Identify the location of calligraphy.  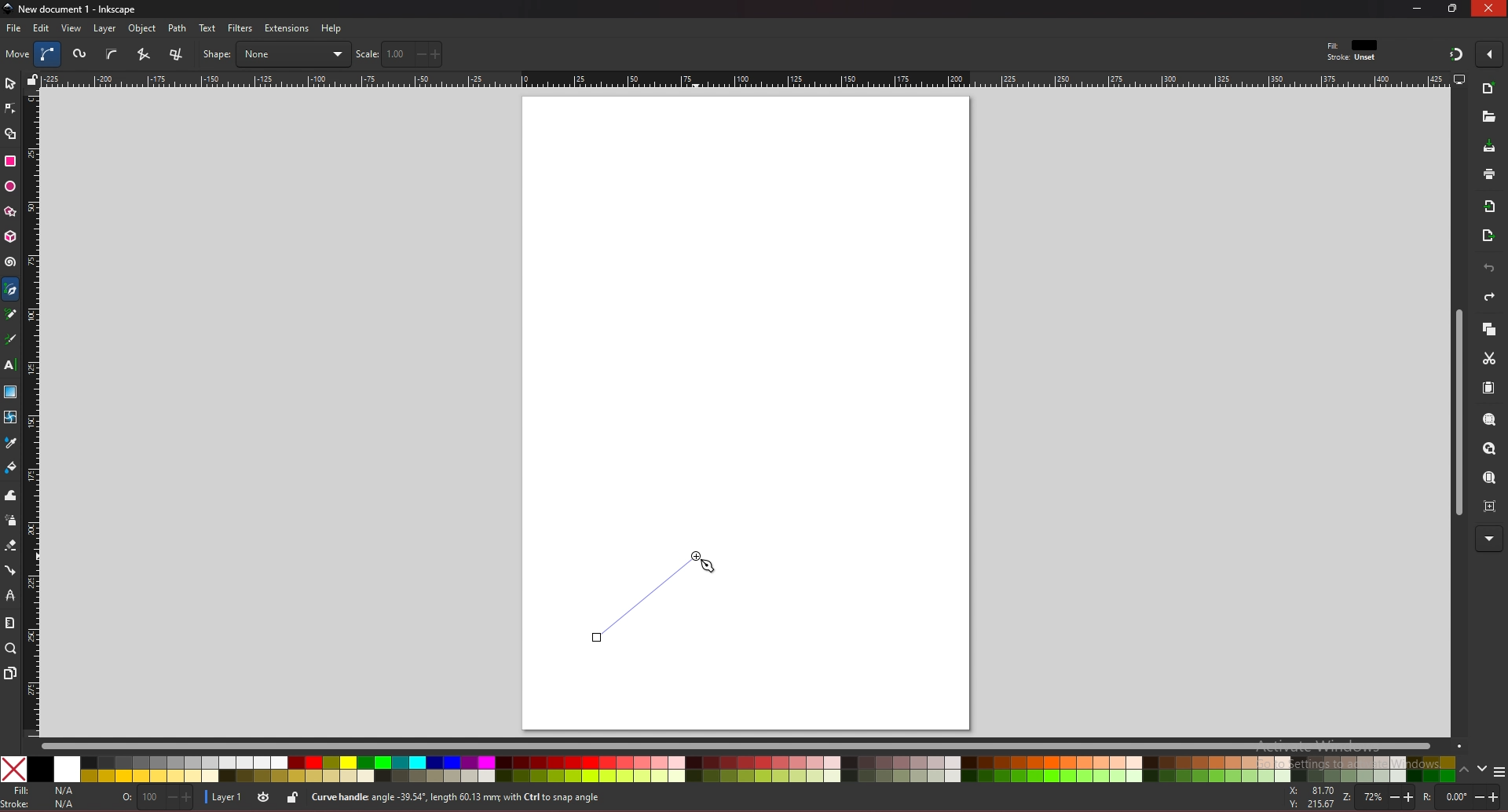
(13, 341).